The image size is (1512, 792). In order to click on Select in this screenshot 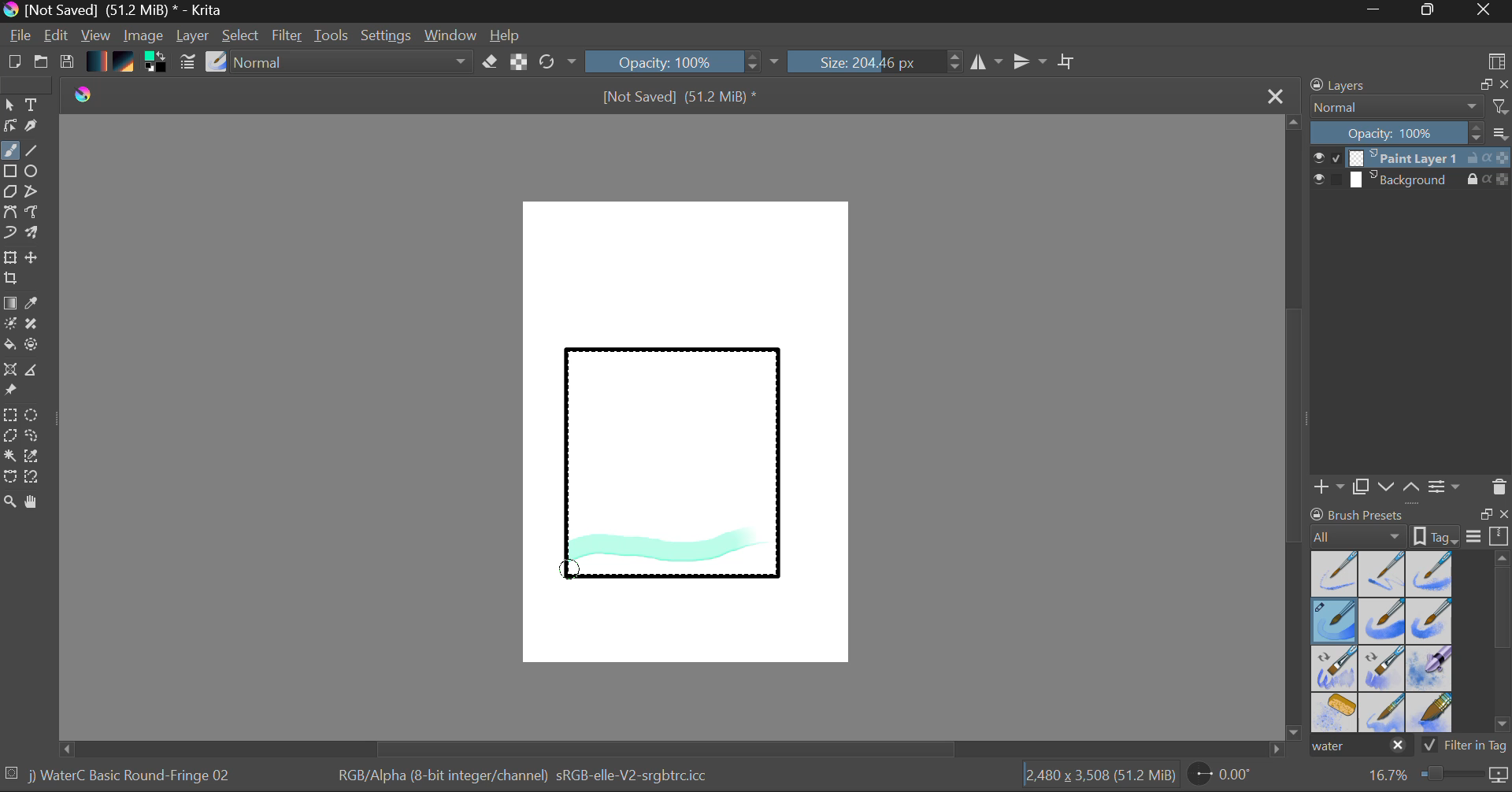, I will do `click(9, 105)`.